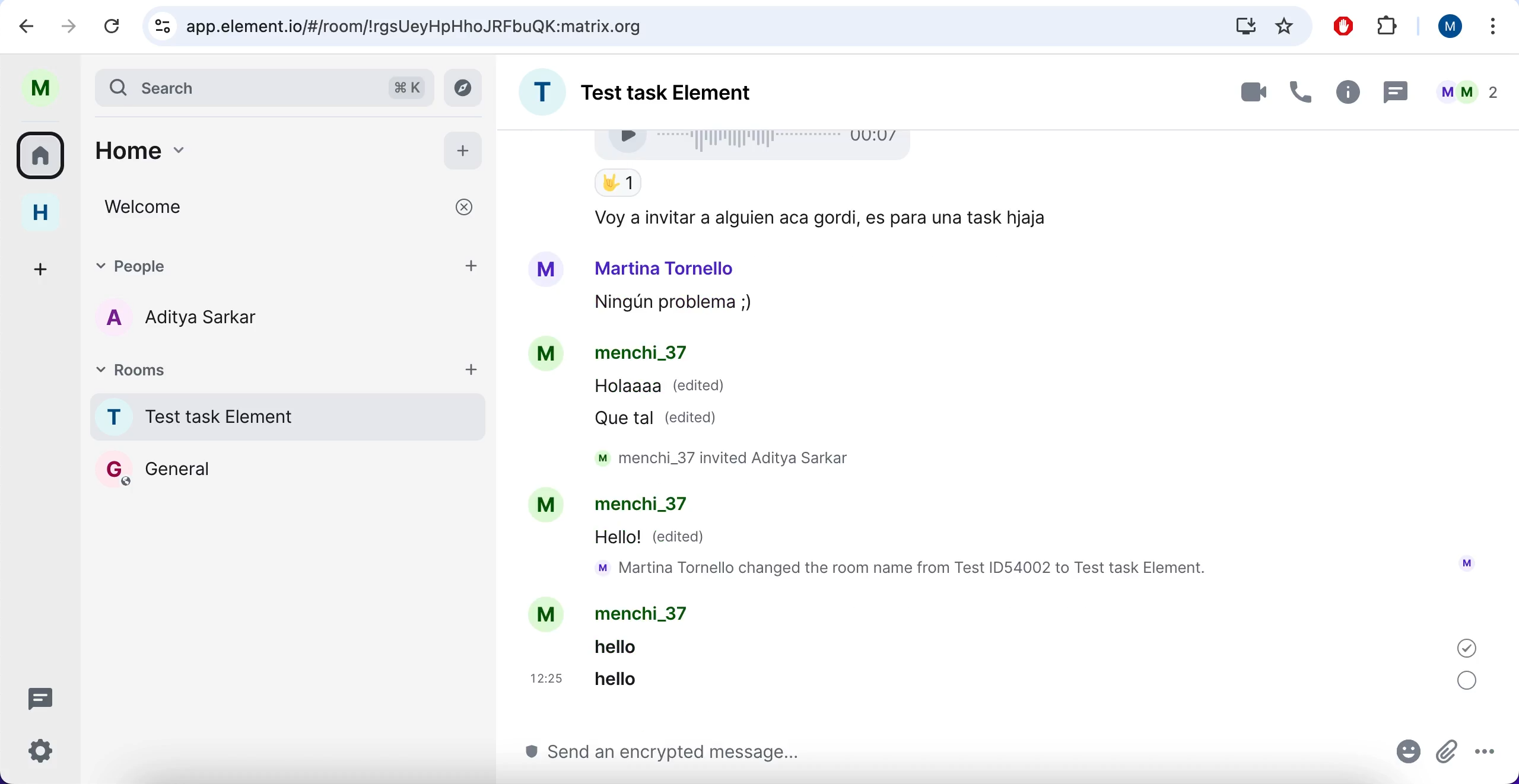 The image size is (1519, 784). I want to click on Martina Tornello, so click(663, 266).